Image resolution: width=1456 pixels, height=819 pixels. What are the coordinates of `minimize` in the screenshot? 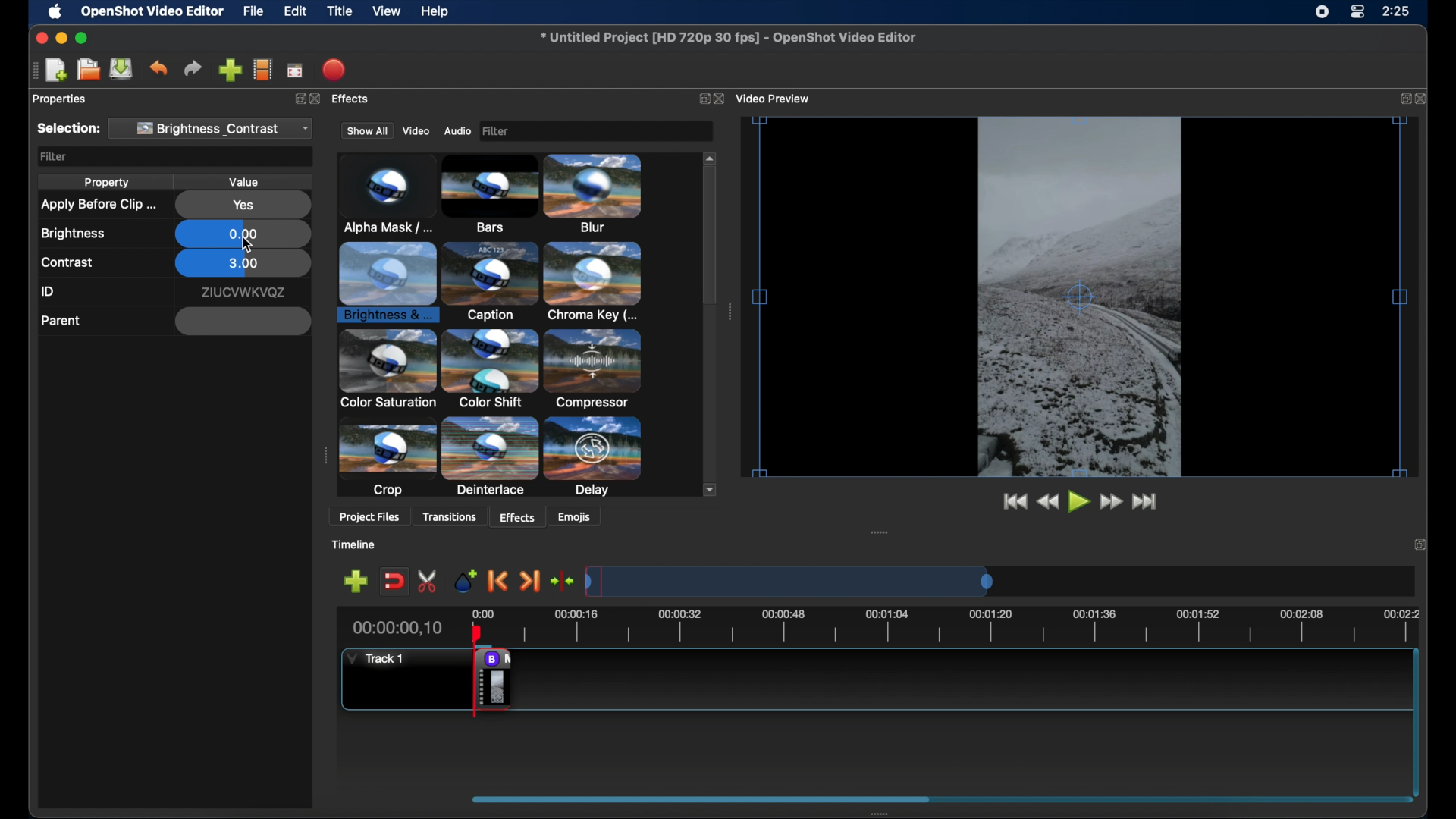 It's located at (62, 37).